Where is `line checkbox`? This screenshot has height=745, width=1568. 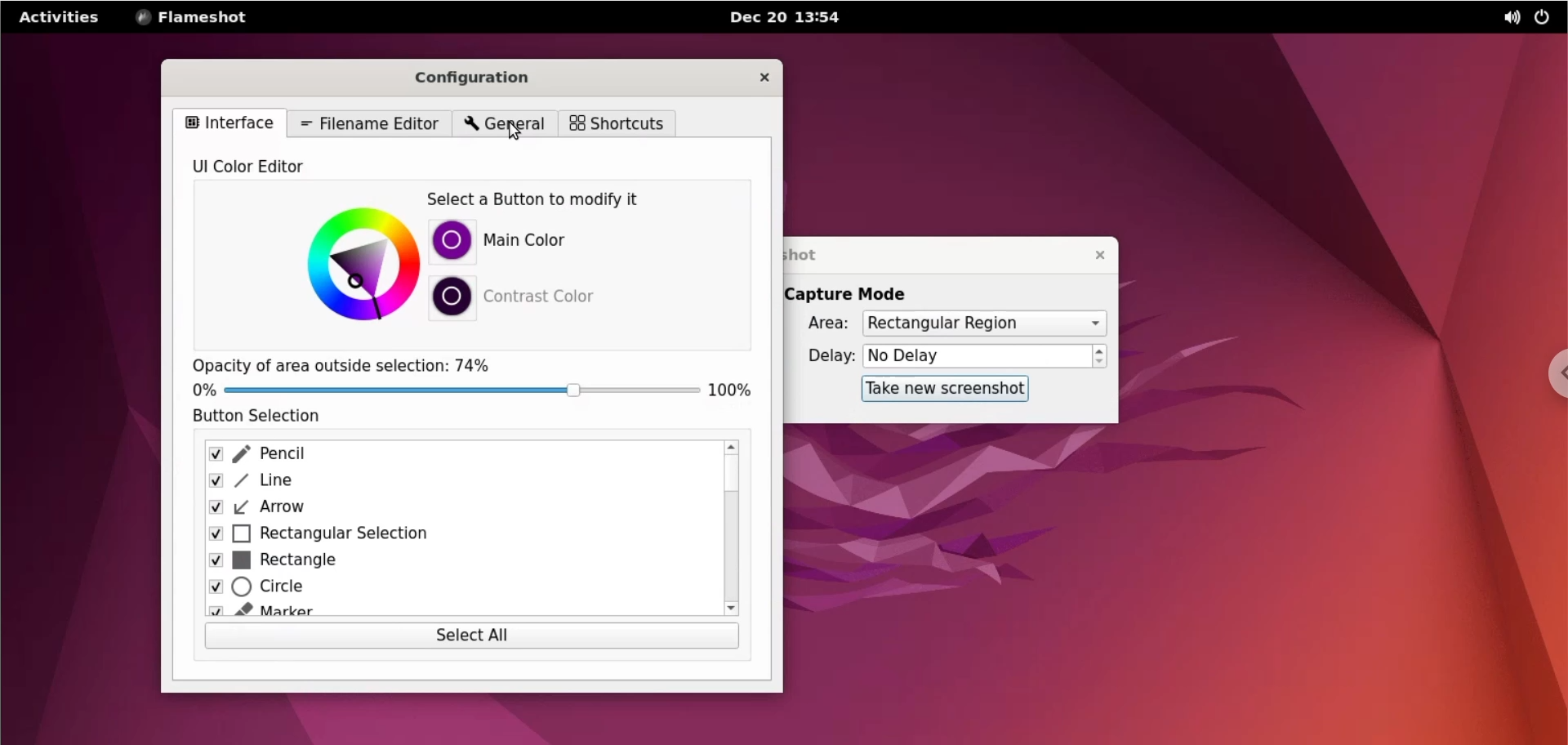
line checkbox is located at coordinates (454, 483).